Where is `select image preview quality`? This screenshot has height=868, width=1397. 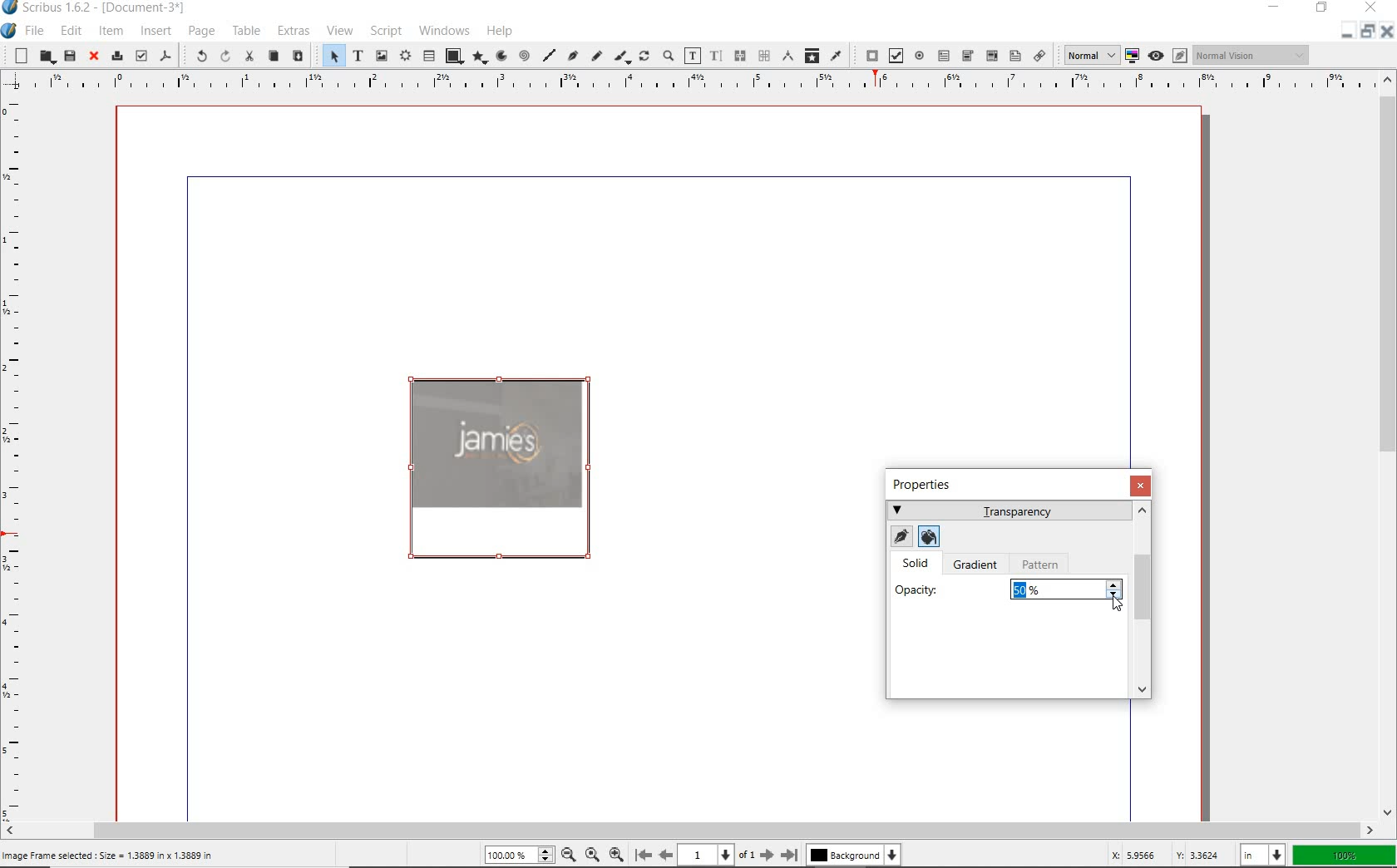
select image preview quality is located at coordinates (1089, 56).